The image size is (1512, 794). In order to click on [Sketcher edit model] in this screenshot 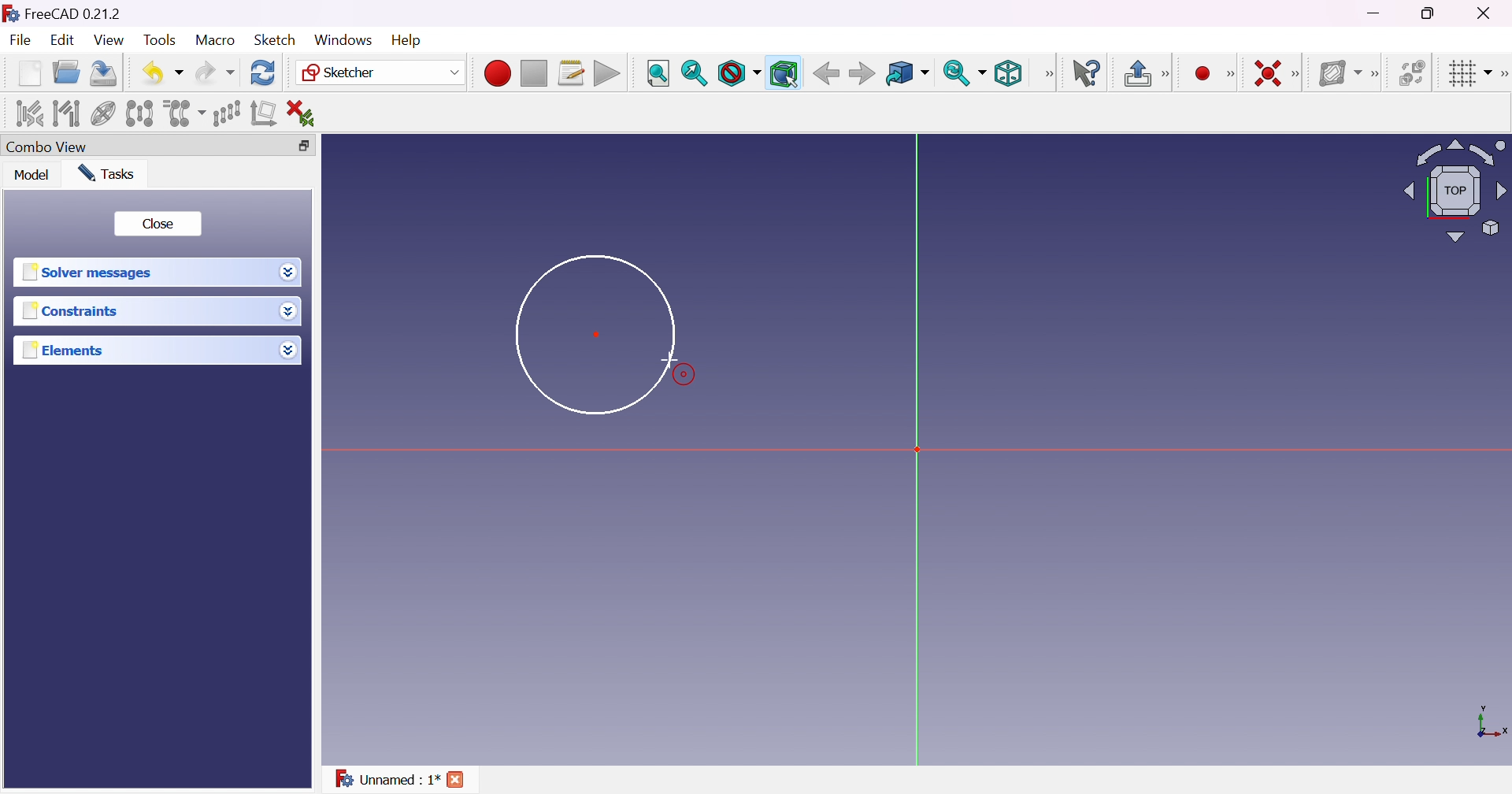, I will do `click(1168, 72)`.